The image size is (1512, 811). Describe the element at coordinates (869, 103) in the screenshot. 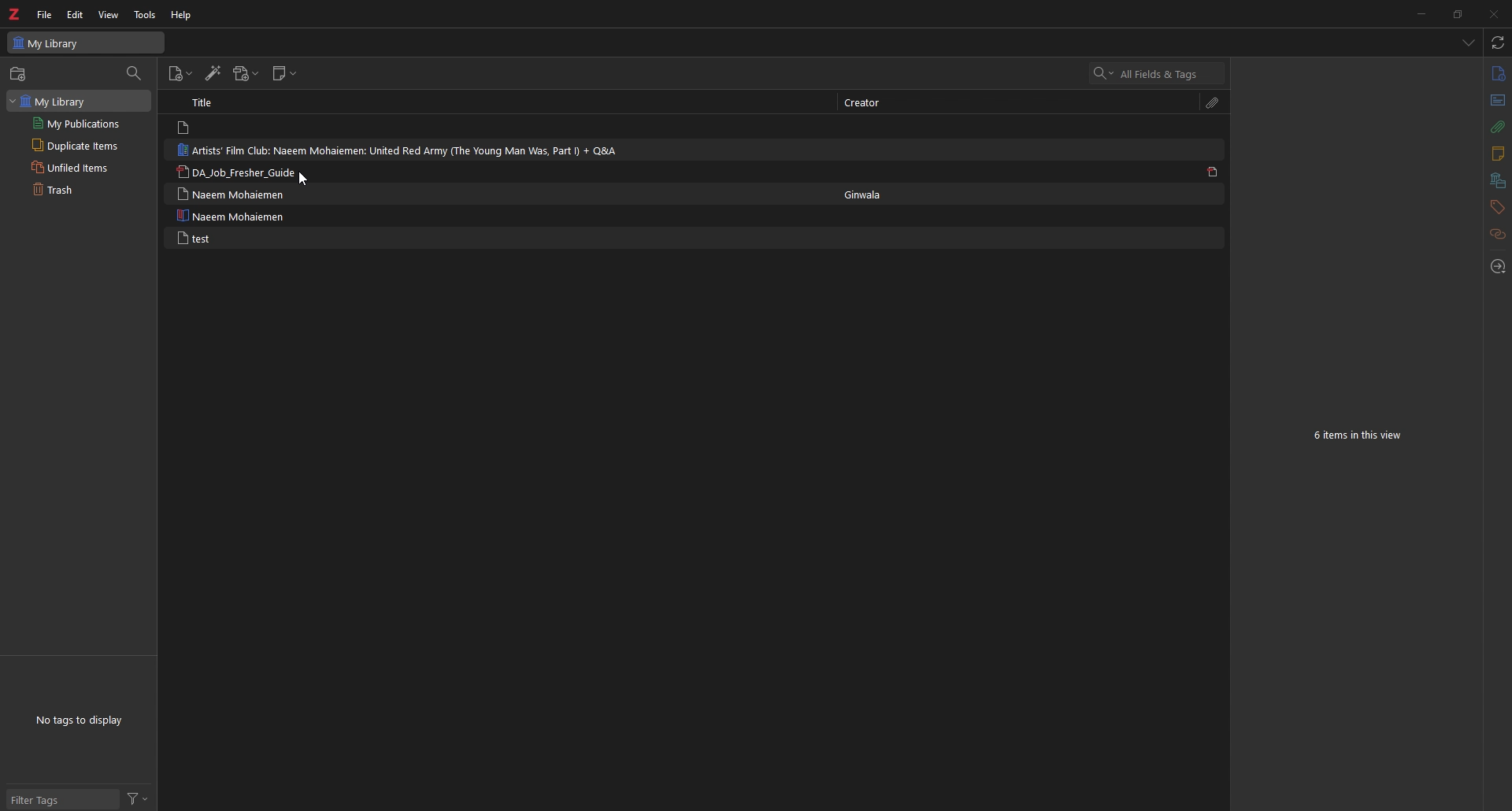

I see `creator` at that location.